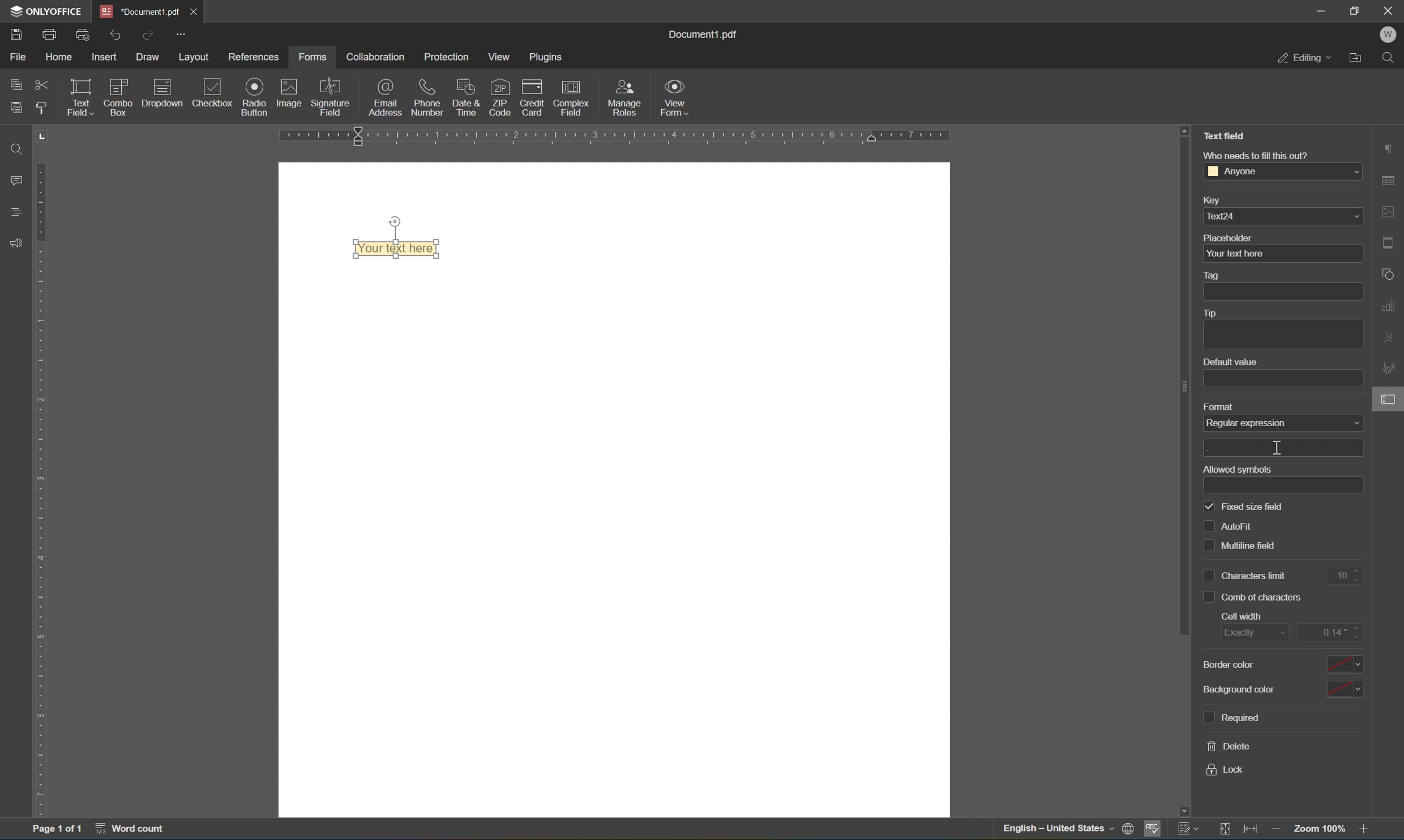 Image resolution: width=1404 pixels, height=840 pixels. I want to click on find, so click(16, 148).